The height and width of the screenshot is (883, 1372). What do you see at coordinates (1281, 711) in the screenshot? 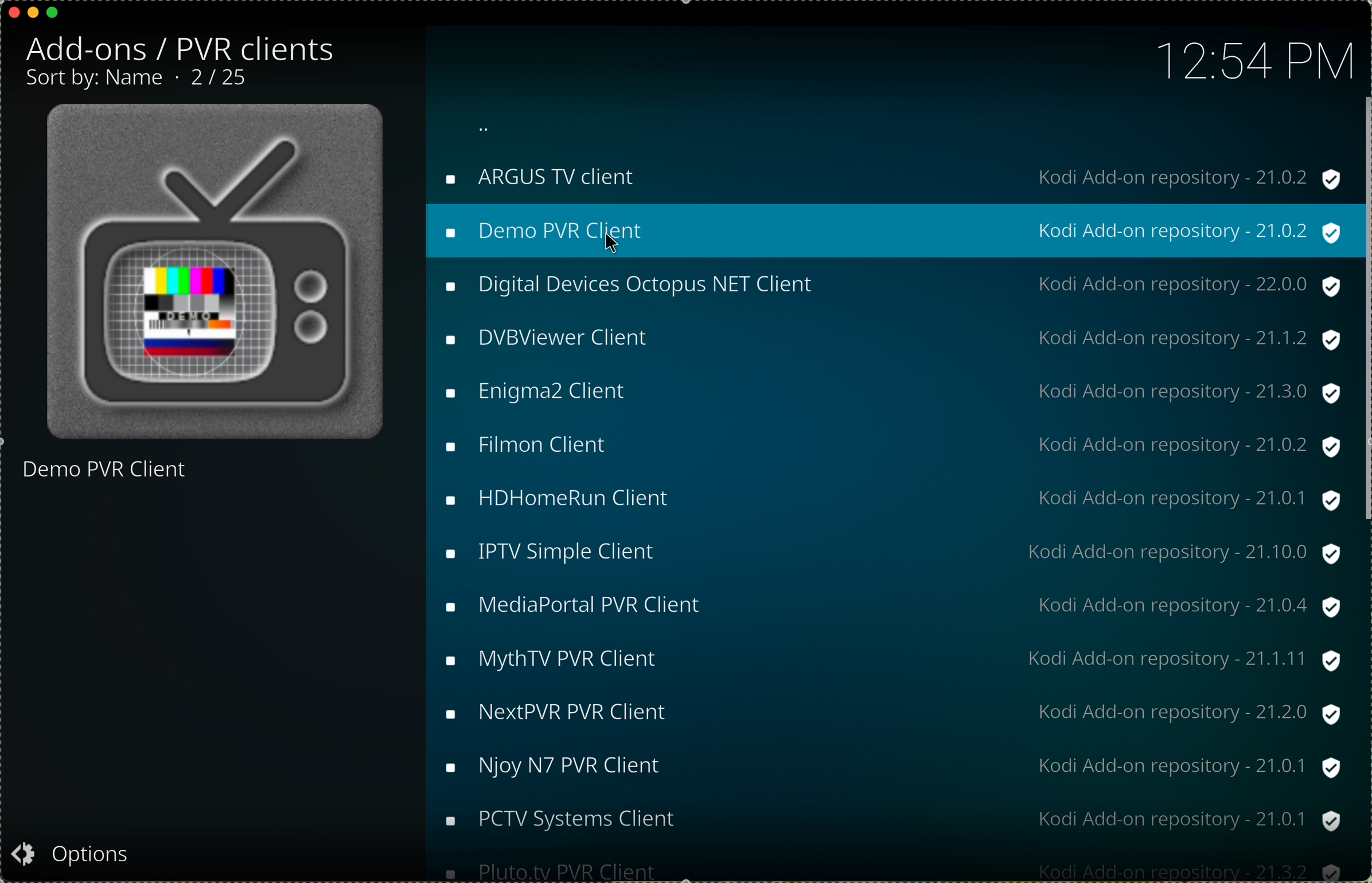
I see `21.2.0` at bounding box center [1281, 711].